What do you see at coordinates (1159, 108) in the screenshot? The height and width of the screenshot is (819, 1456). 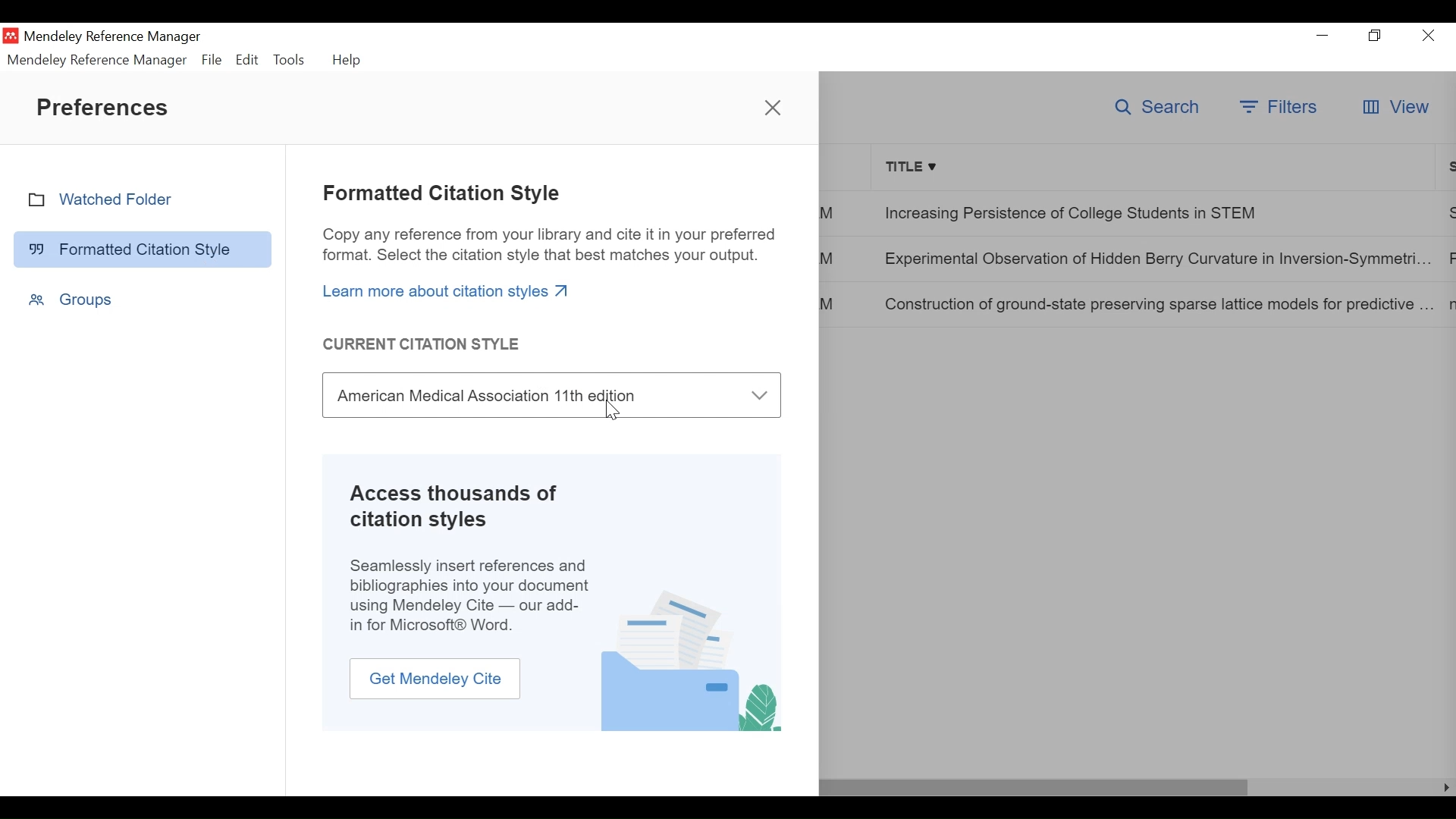 I see `Search ` at bounding box center [1159, 108].